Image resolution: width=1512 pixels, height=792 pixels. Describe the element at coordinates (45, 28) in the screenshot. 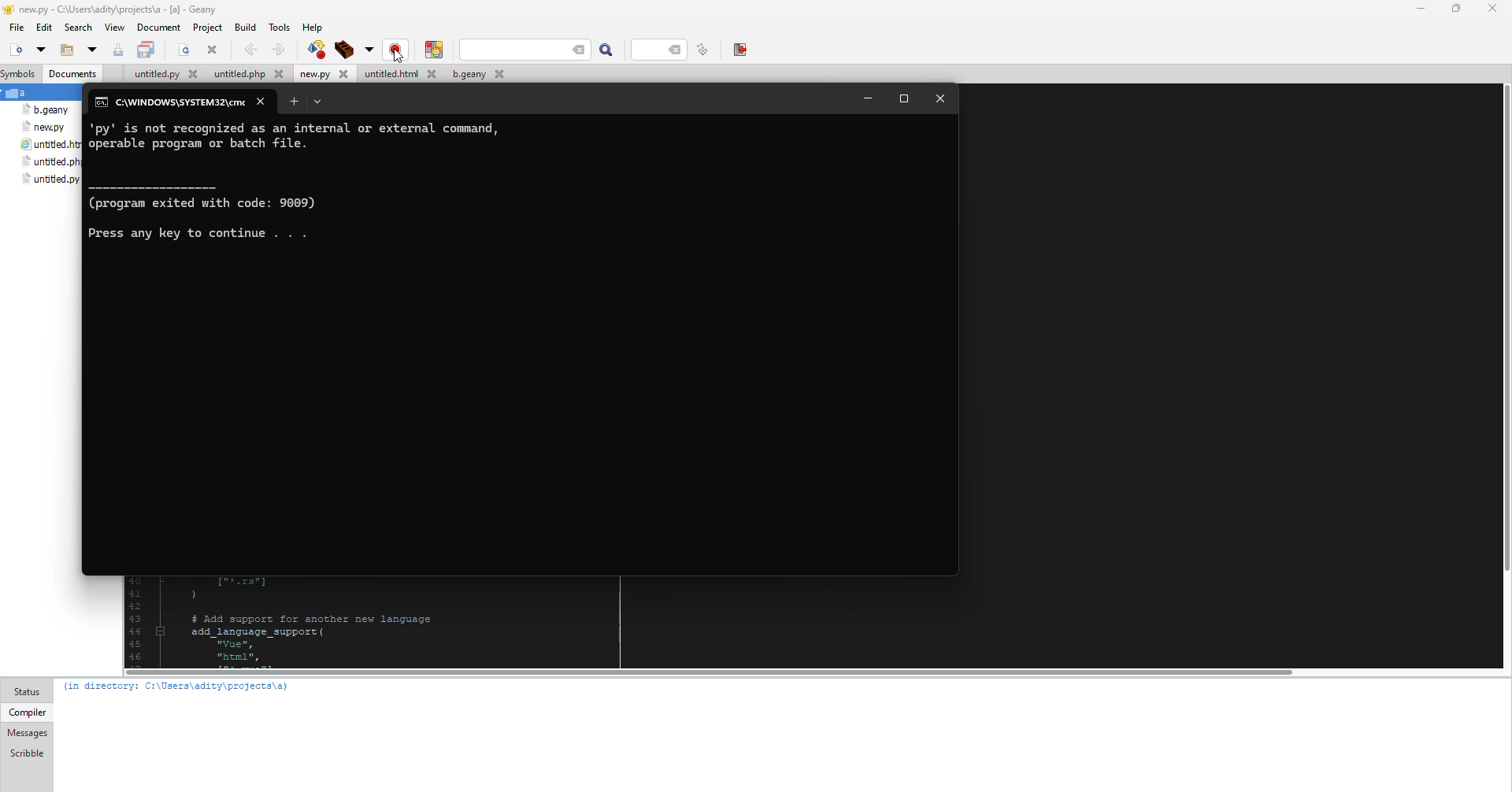

I see `edit` at that location.